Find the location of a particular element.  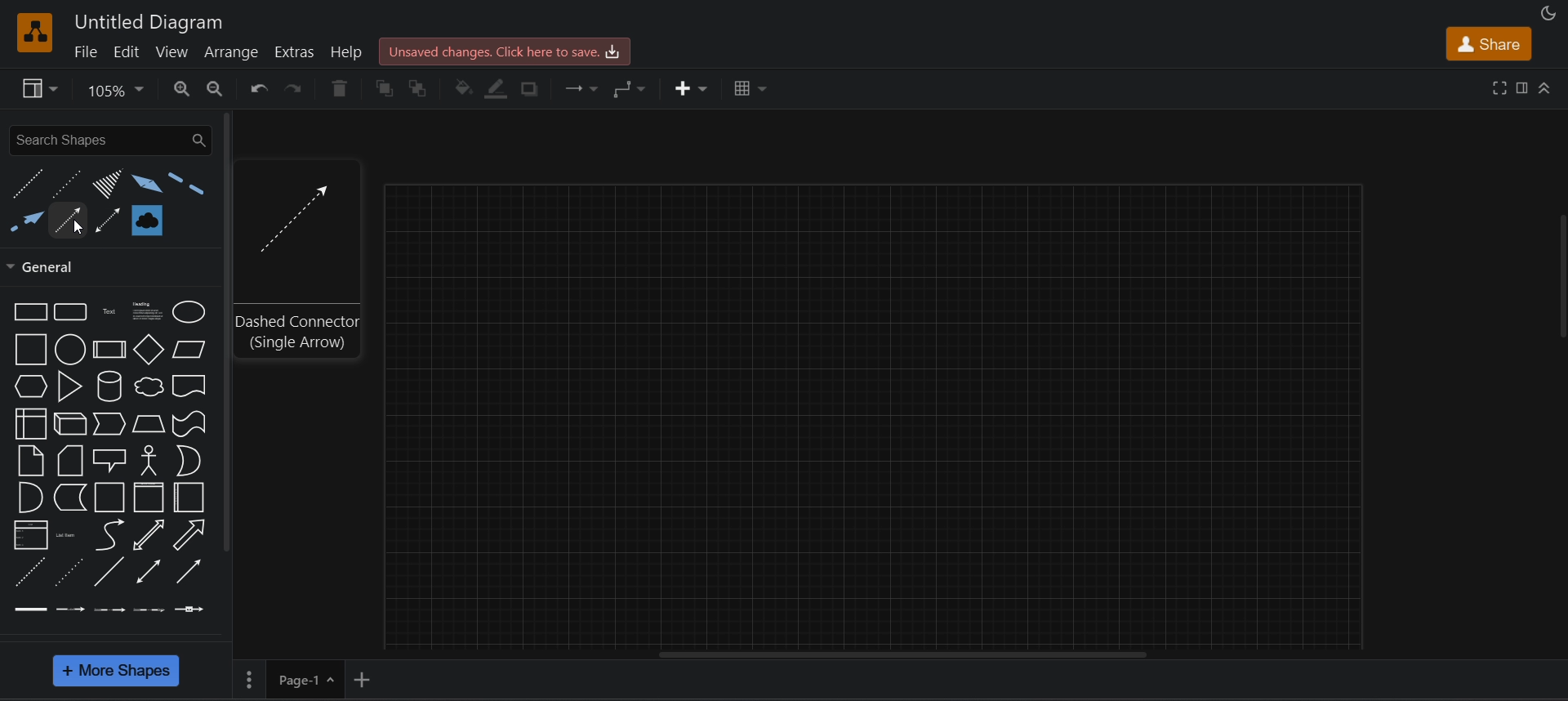

help is located at coordinates (349, 51).